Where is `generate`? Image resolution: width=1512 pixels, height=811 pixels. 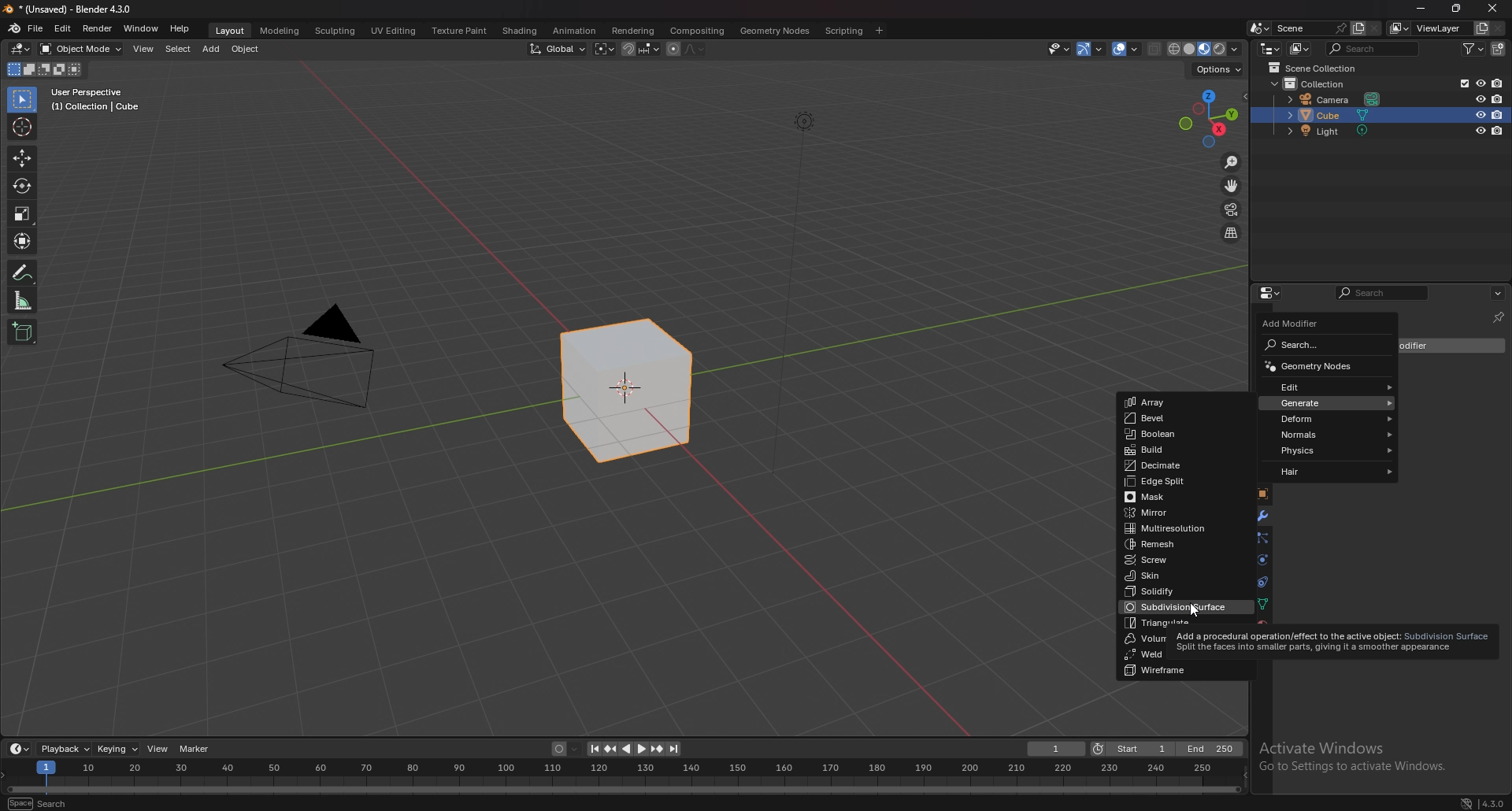
generate is located at coordinates (1330, 402).